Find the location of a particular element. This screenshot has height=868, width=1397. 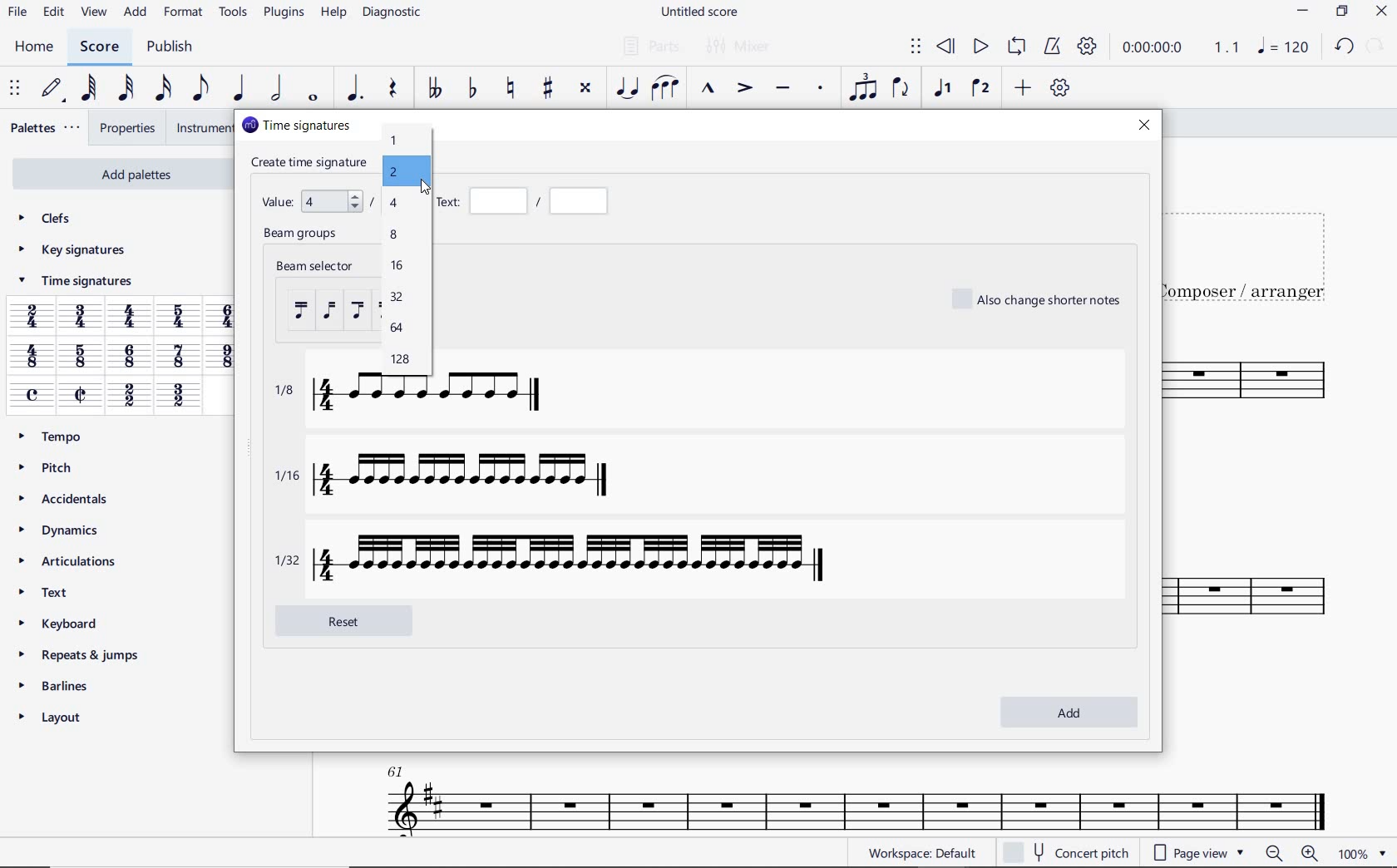

TEXT is located at coordinates (50, 591).